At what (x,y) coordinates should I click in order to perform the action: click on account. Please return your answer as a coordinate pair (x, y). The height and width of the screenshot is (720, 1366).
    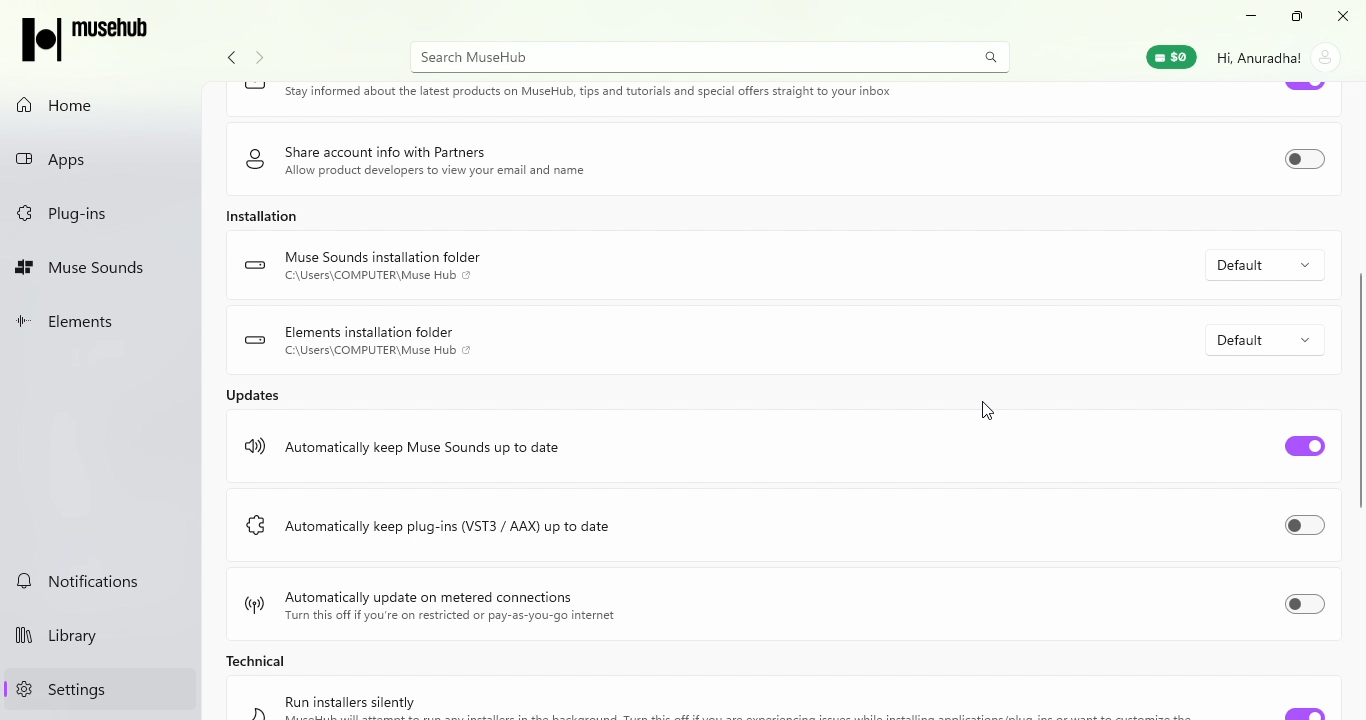
    Looking at the image, I should click on (1327, 59).